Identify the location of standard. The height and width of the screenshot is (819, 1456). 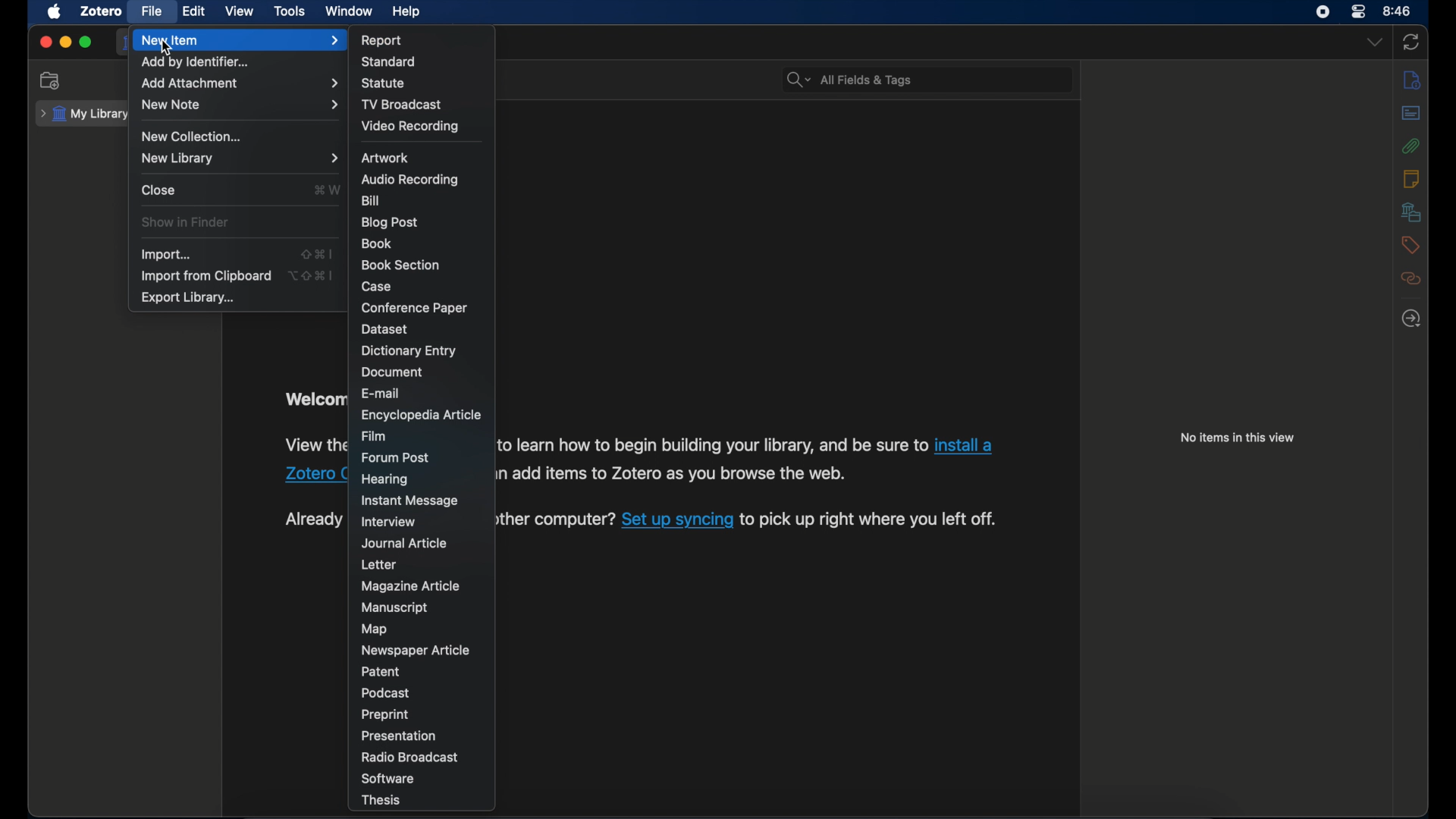
(388, 61).